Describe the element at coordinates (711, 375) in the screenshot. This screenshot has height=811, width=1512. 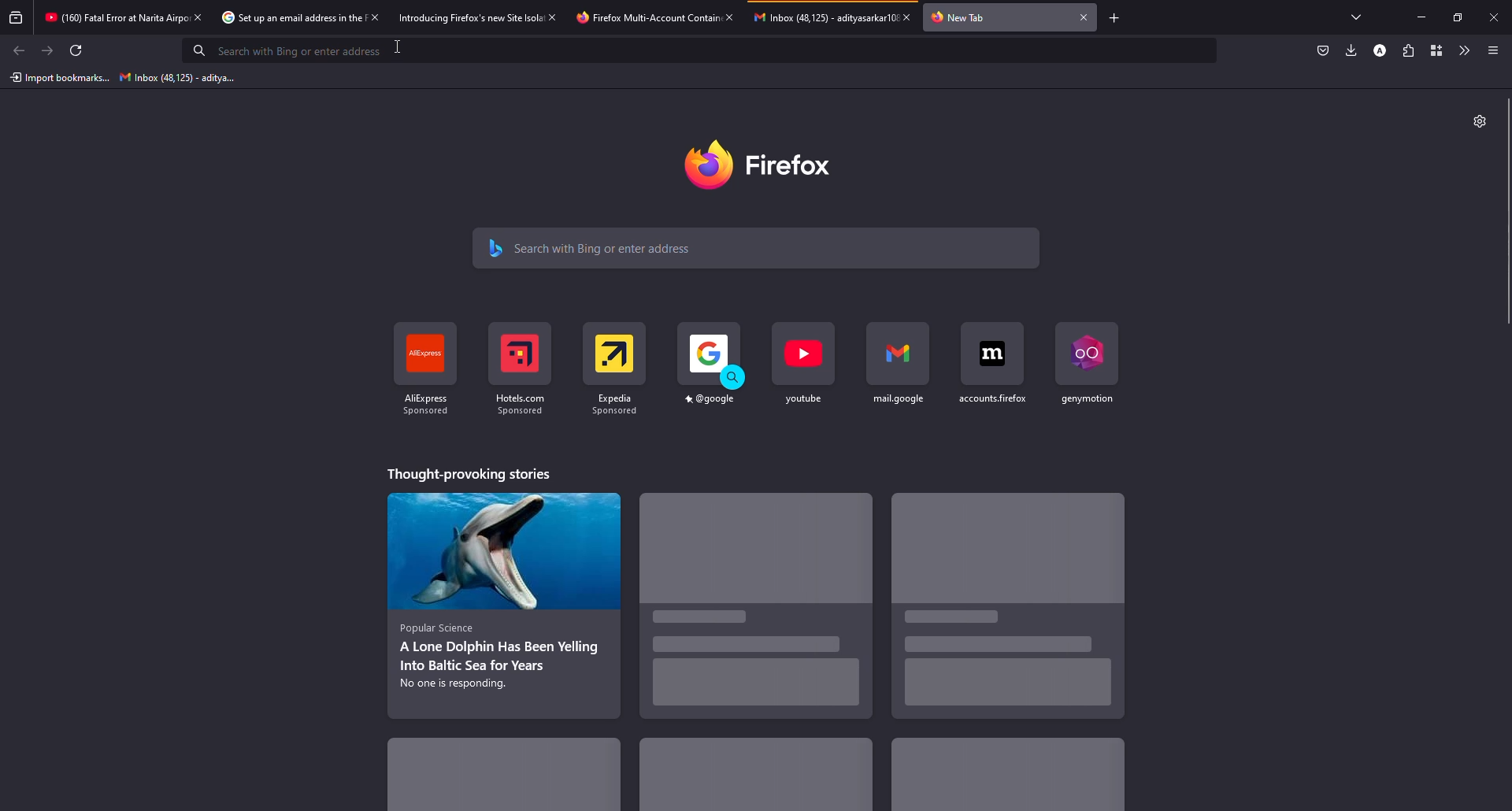
I see `shortcut` at that location.